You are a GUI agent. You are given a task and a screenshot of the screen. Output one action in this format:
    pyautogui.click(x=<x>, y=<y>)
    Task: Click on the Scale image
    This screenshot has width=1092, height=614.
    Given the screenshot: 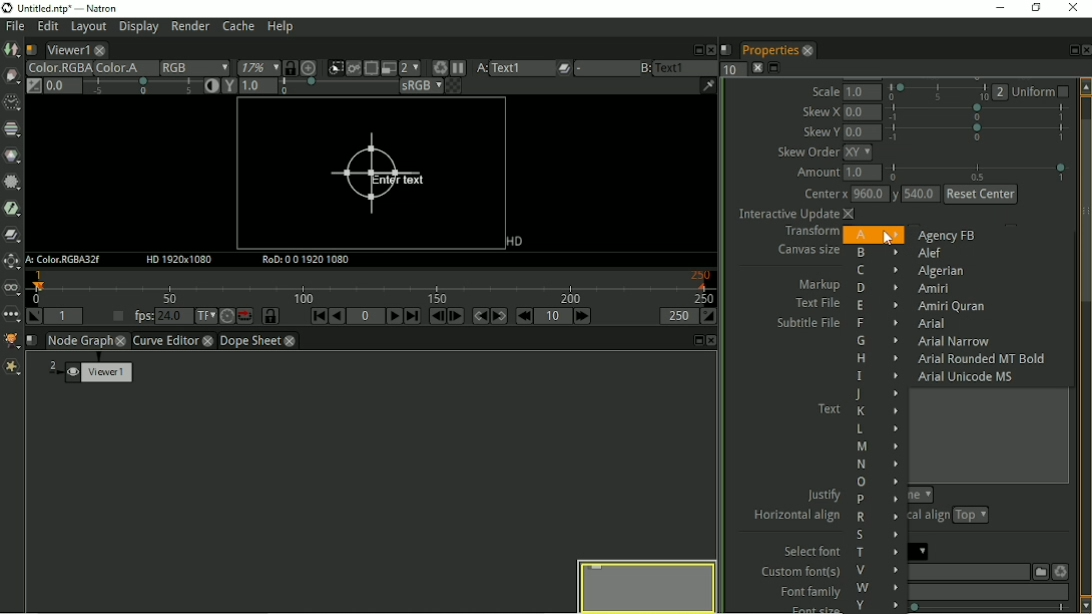 What is the action you would take?
    pyautogui.click(x=312, y=68)
    